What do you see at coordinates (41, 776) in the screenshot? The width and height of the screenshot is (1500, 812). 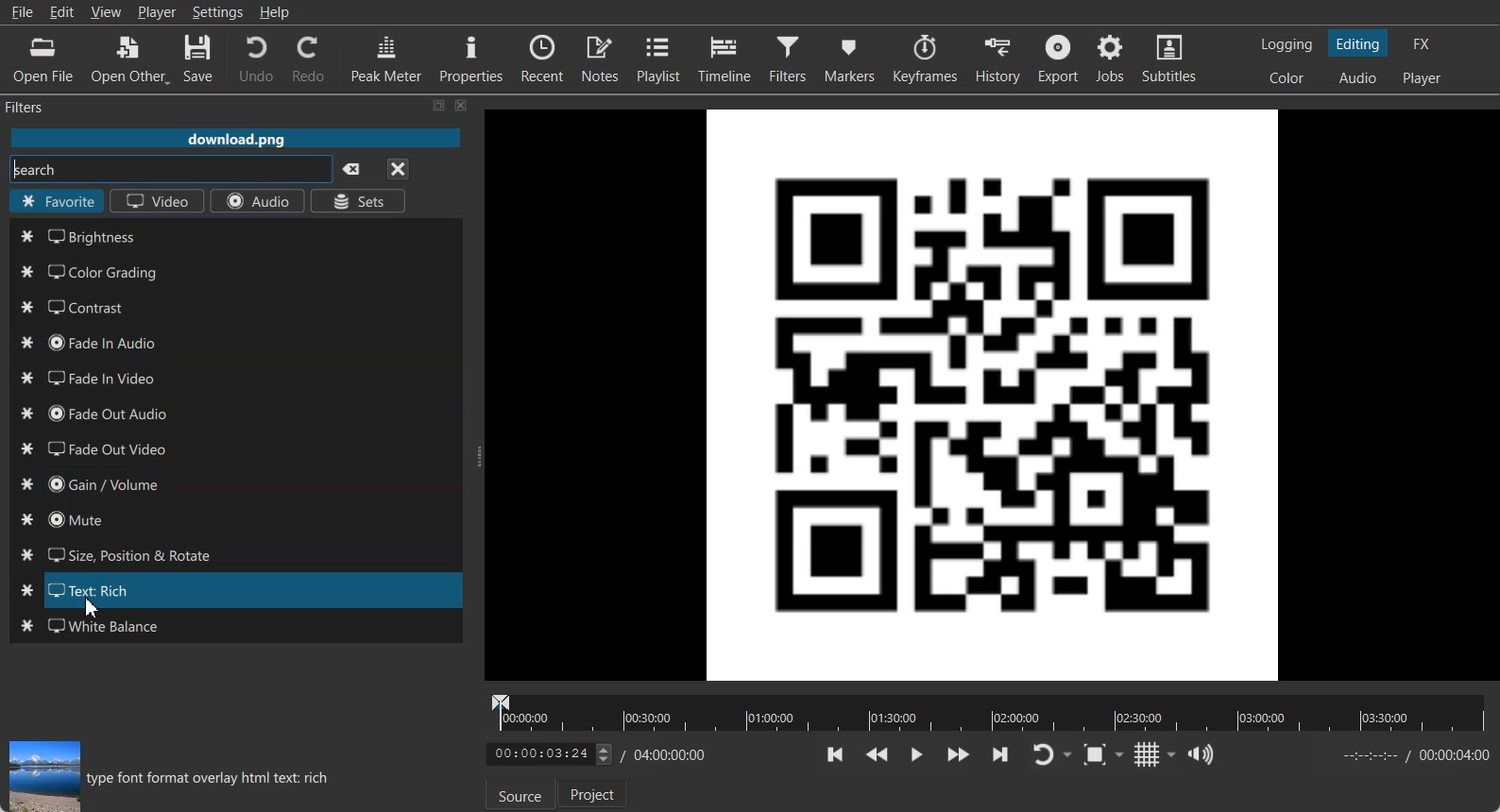 I see `image` at bounding box center [41, 776].